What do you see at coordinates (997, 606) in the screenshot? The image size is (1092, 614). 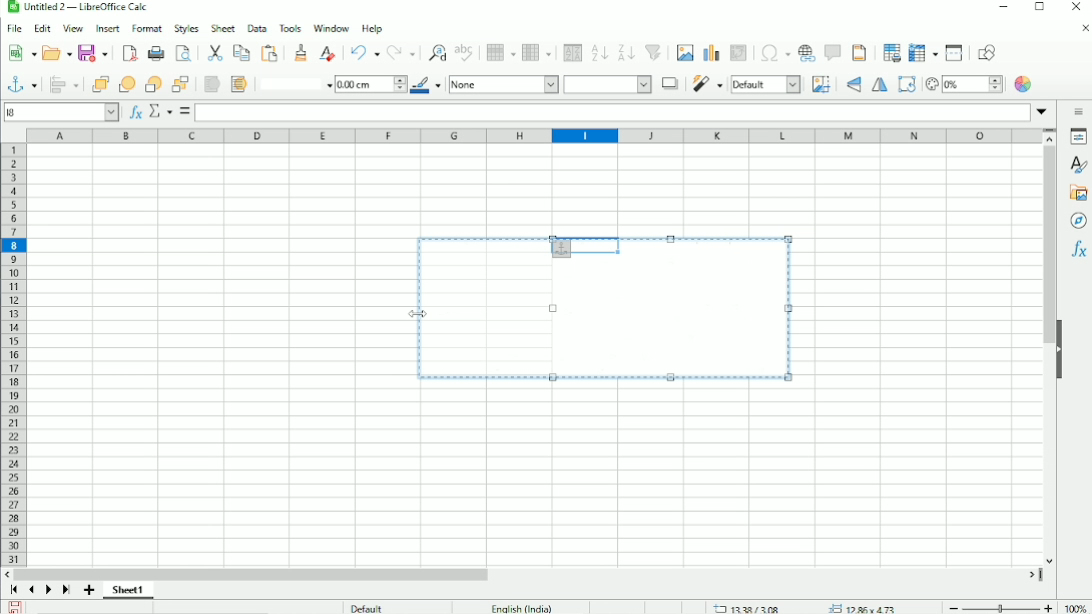 I see `Zoom out/in` at bounding box center [997, 606].